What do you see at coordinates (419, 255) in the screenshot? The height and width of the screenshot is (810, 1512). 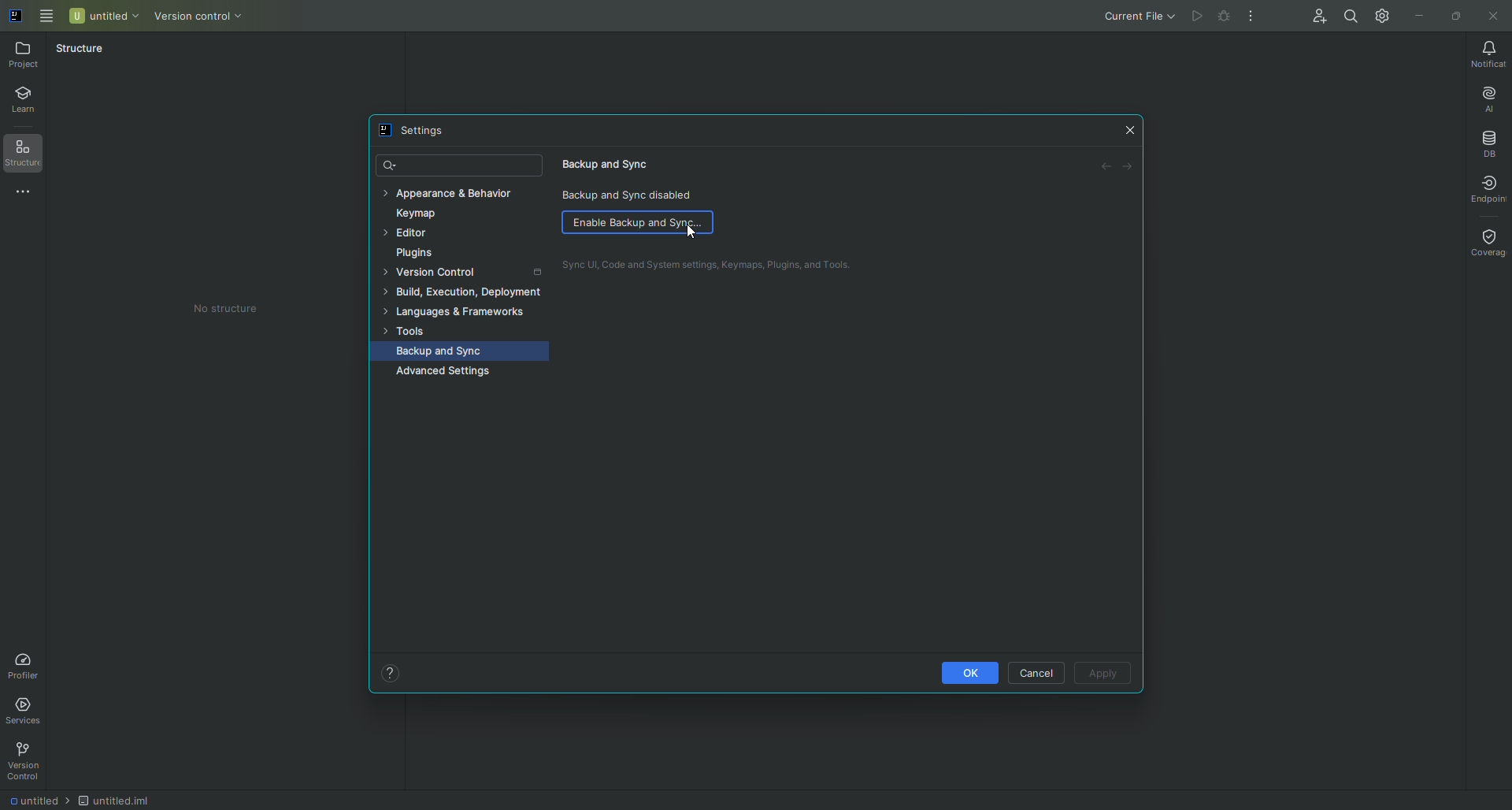 I see `Plugins` at bounding box center [419, 255].